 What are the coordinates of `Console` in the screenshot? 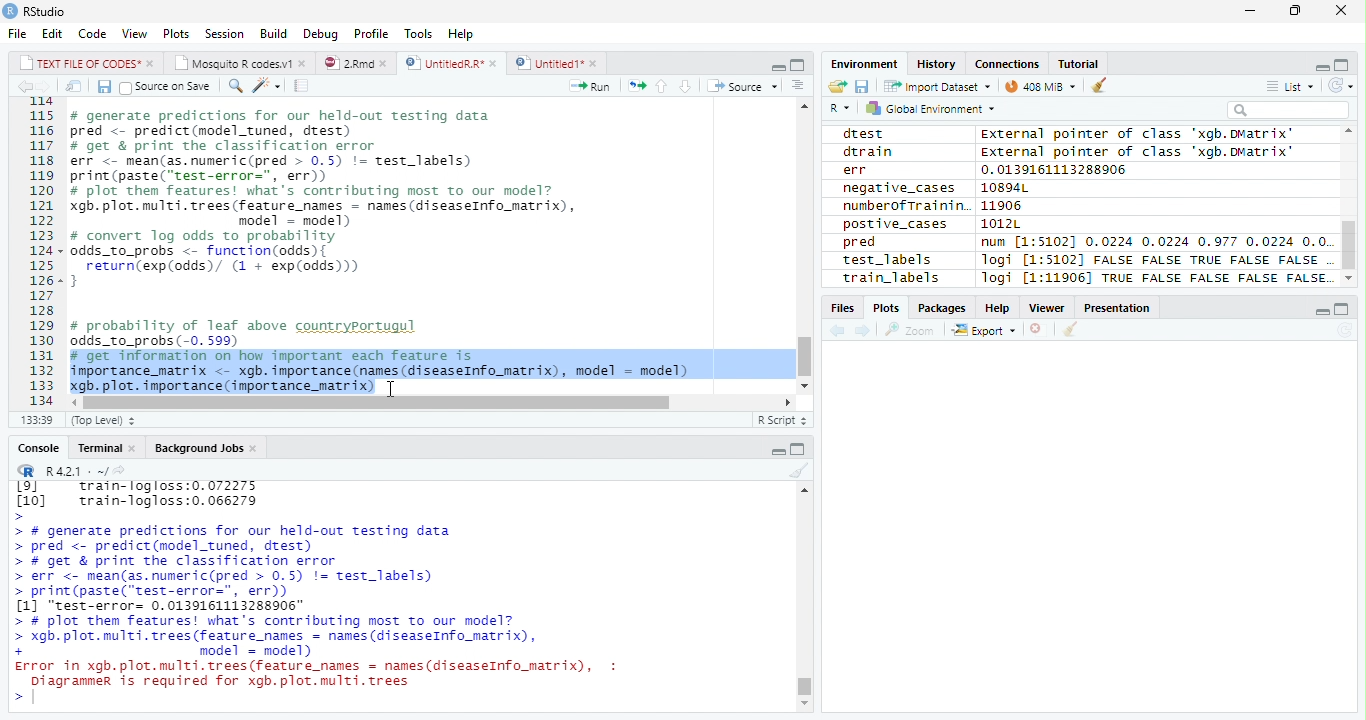 It's located at (39, 447).